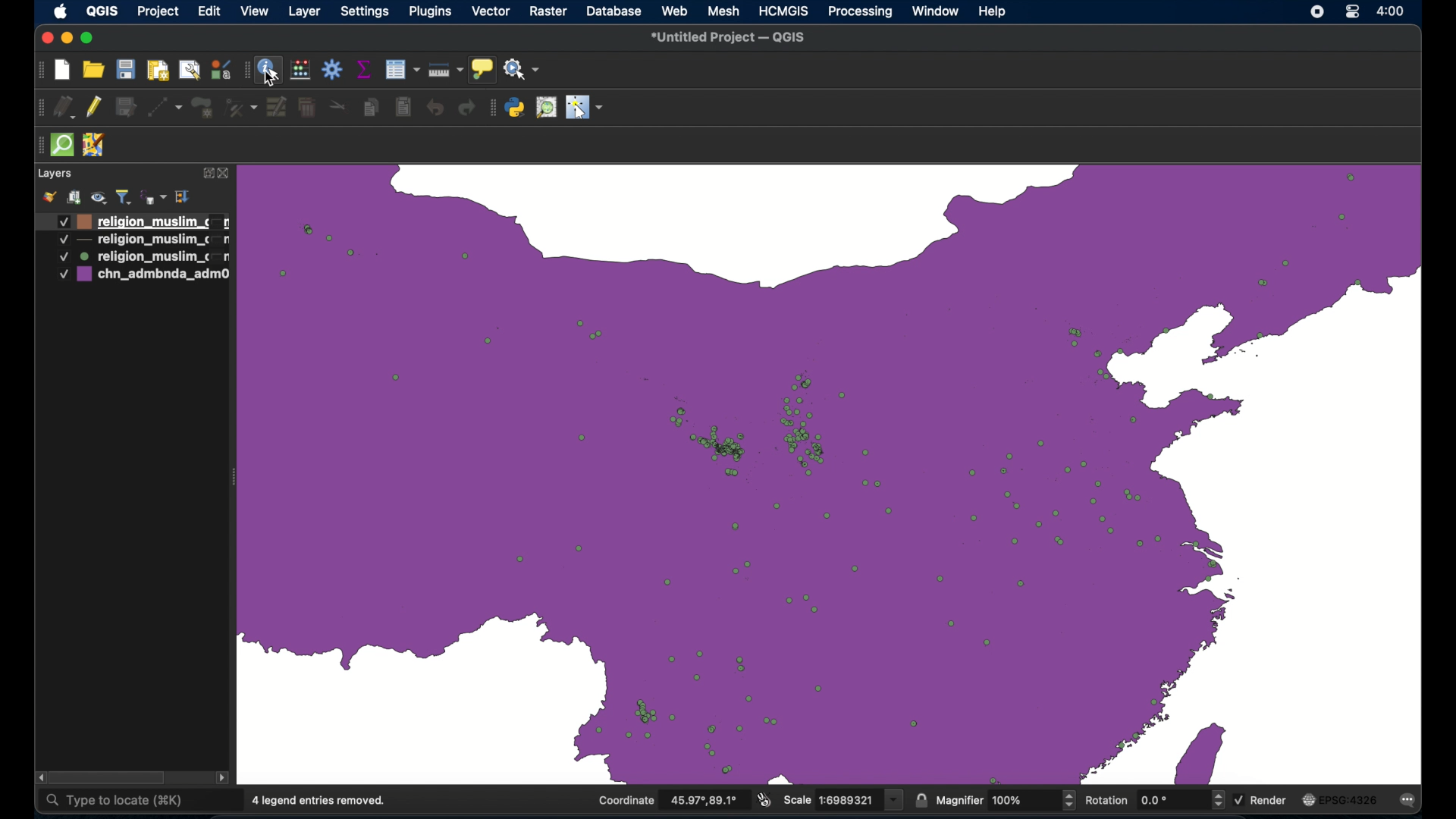  I want to click on vector, so click(491, 11).